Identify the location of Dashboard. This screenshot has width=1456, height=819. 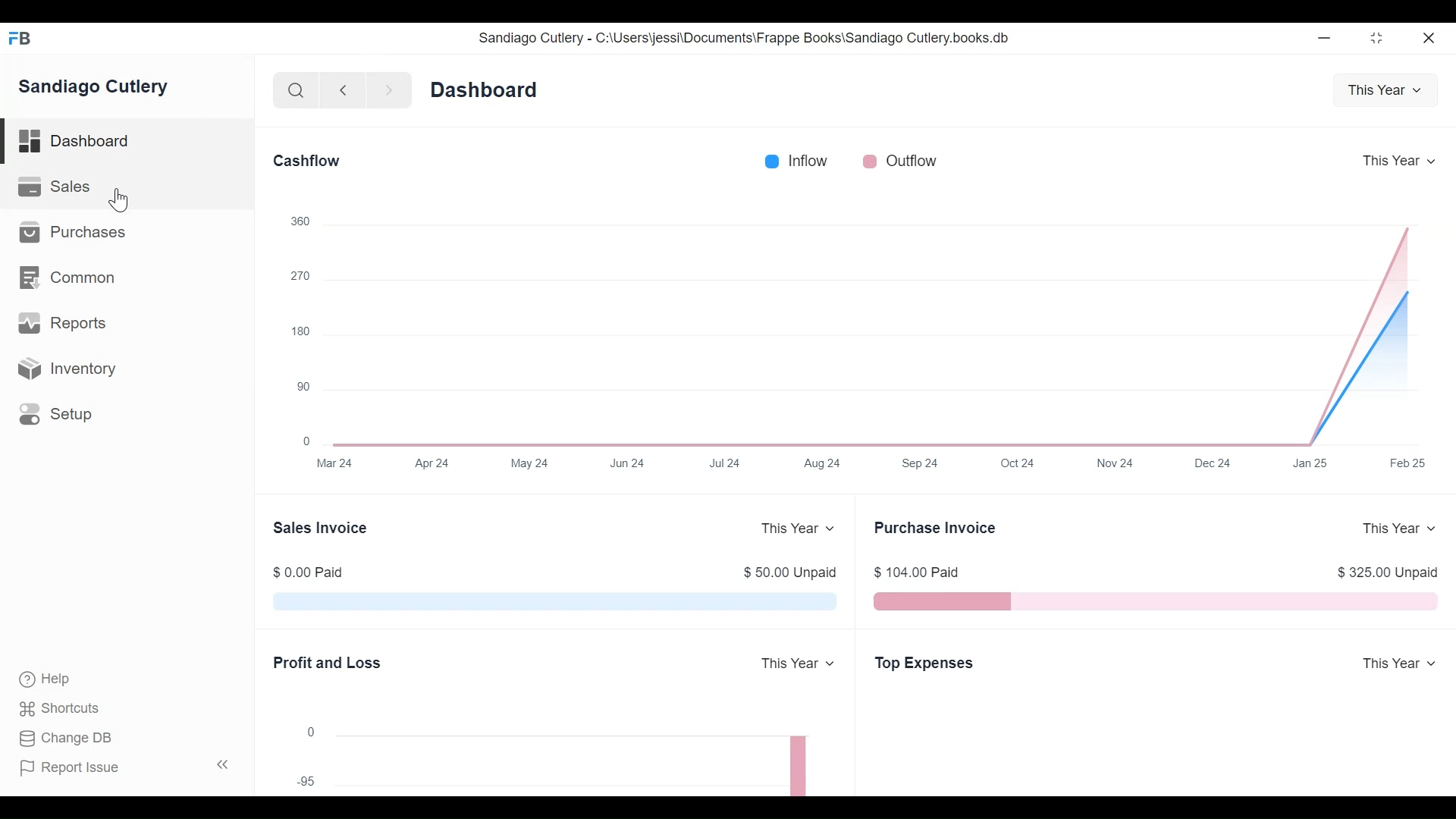
(487, 89).